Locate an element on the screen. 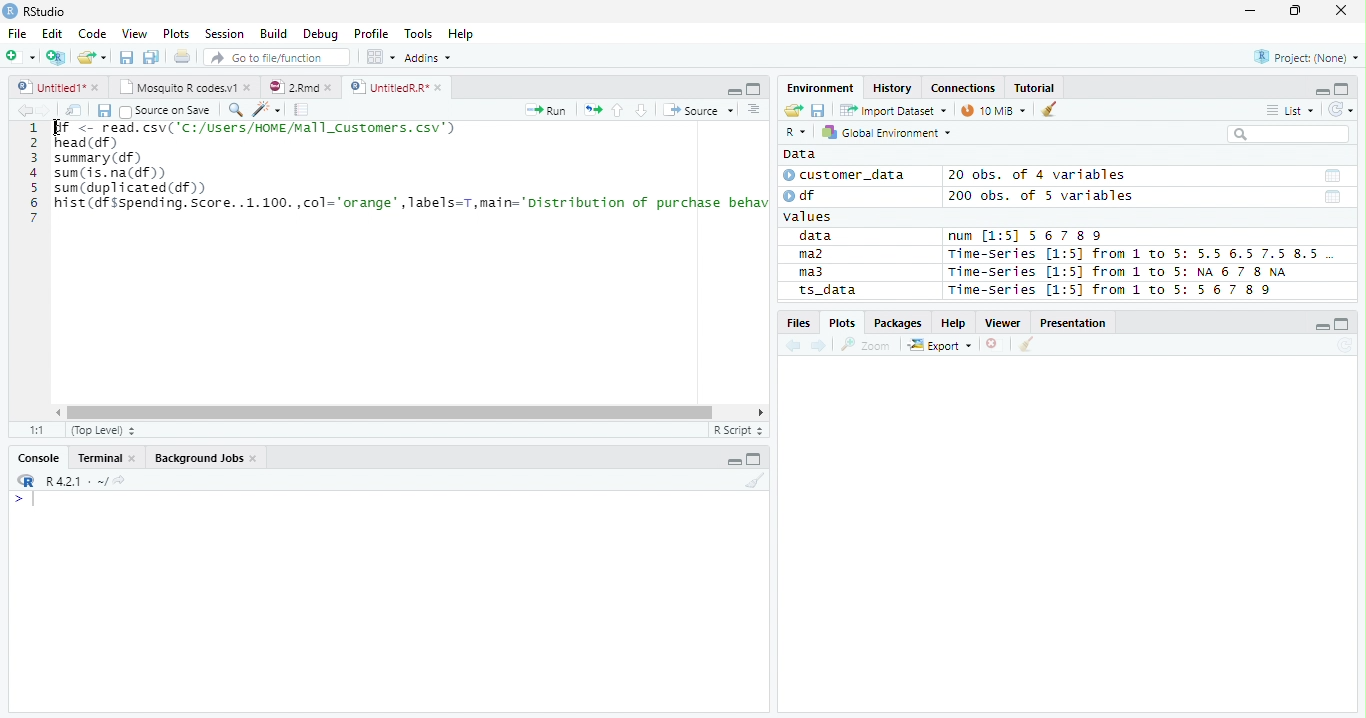 The image size is (1366, 718). History is located at coordinates (894, 89).